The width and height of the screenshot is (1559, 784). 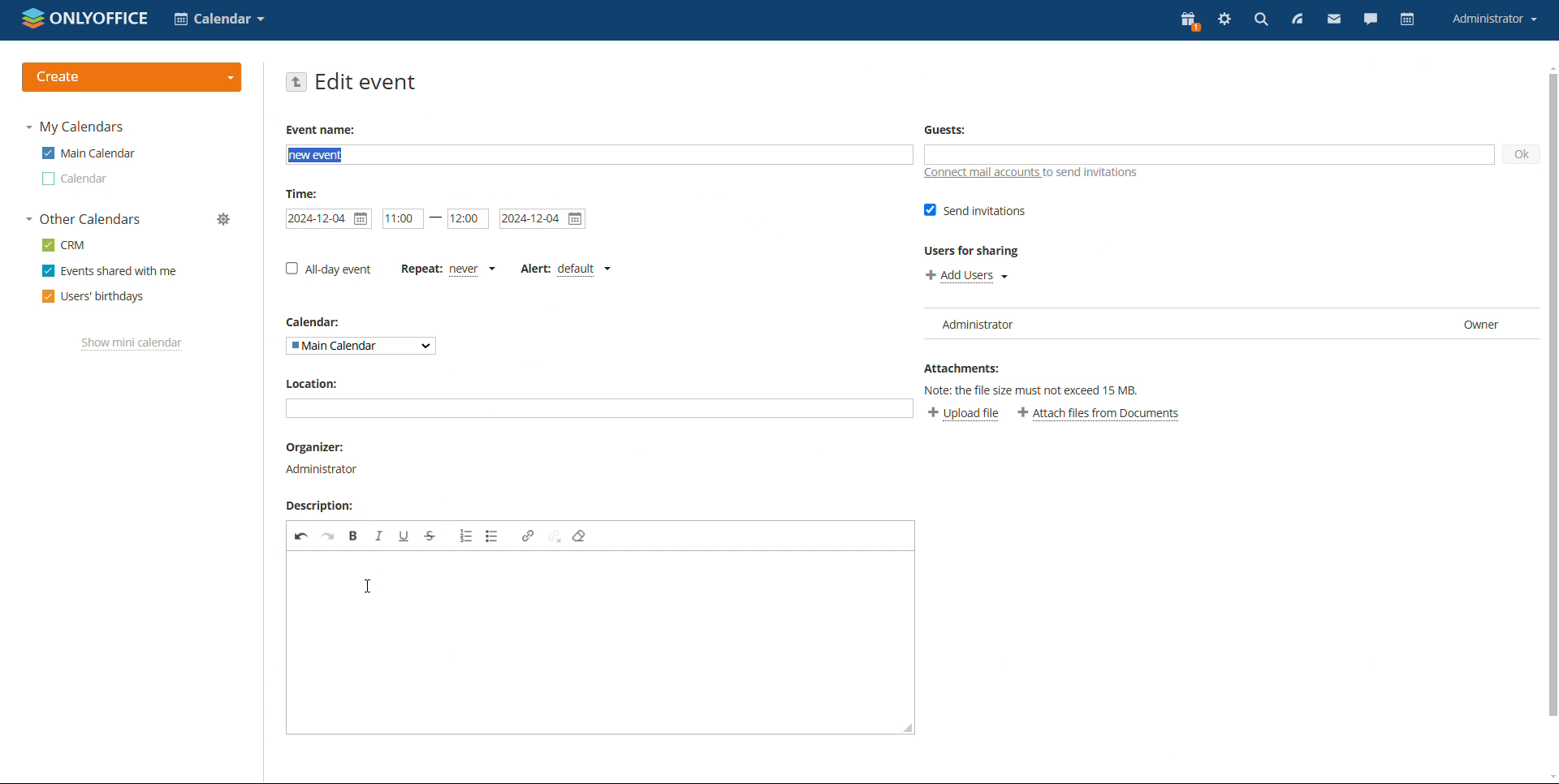 What do you see at coordinates (366, 83) in the screenshot?
I see `edit event` at bounding box center [366, 83].